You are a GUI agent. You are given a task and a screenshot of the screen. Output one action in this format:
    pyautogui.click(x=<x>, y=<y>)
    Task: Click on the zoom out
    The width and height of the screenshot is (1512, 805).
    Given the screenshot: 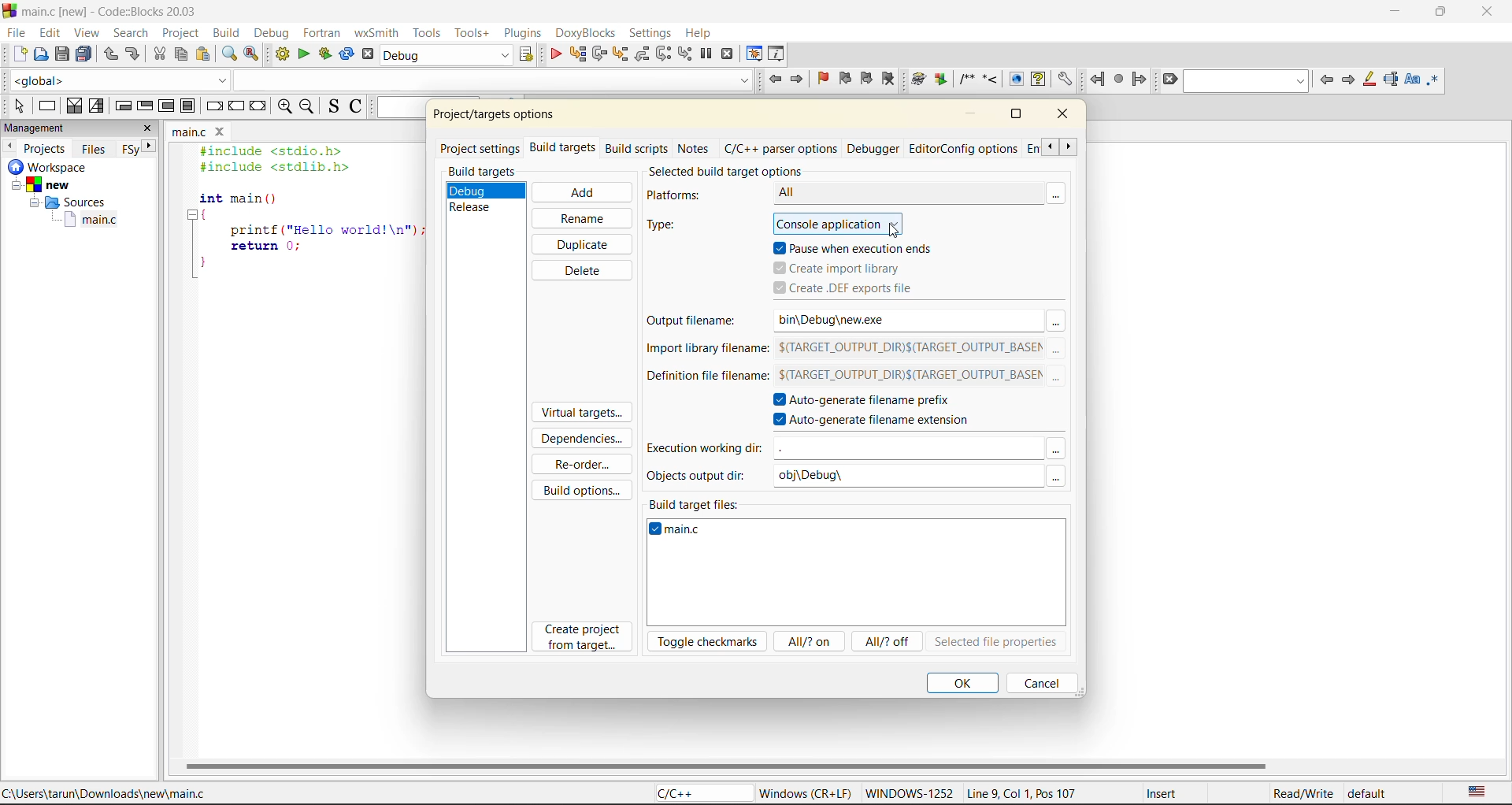 What is the action you would take?
    pyautogui.click(x=311, y=107)
    